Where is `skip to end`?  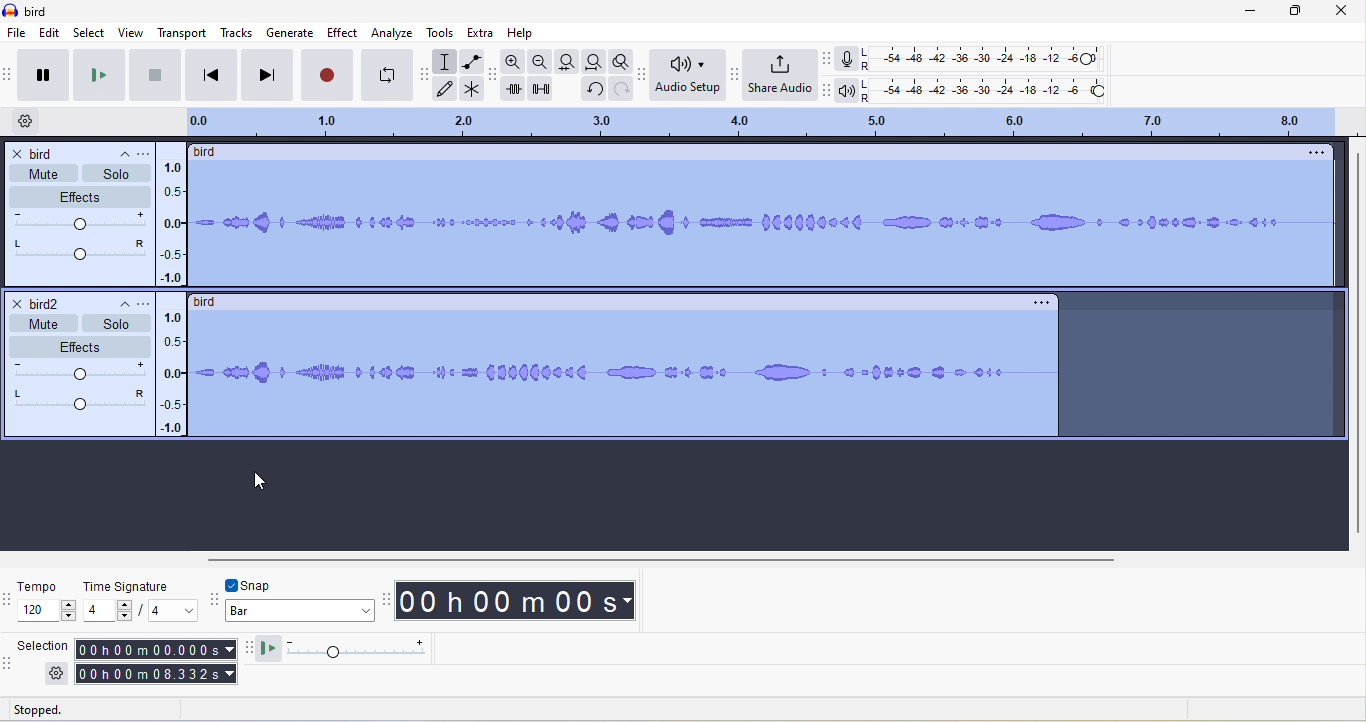
skip to end is located at coordinates (269, 76).